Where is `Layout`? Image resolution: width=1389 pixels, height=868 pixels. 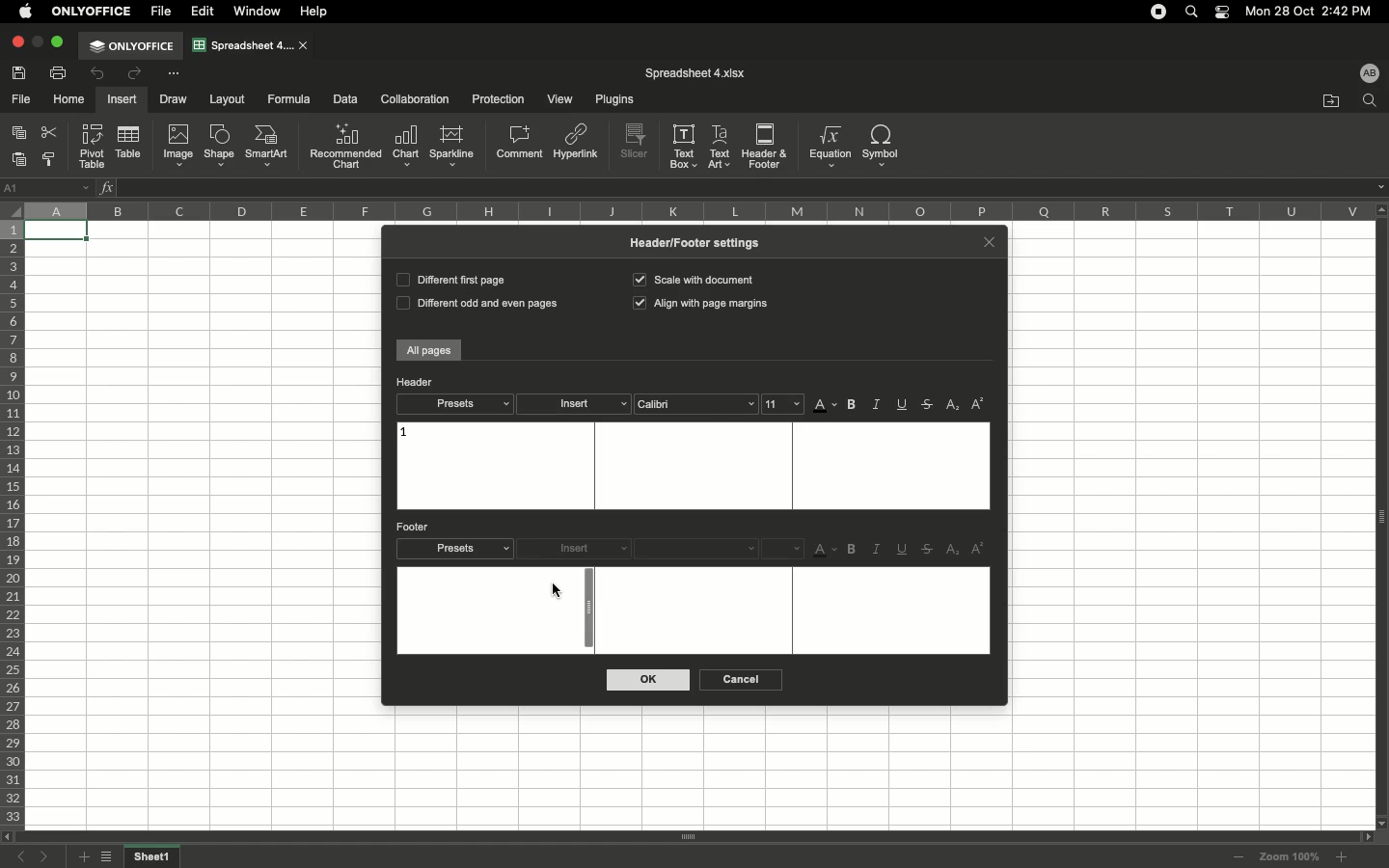 Layout is located at coordinates (228, 99).